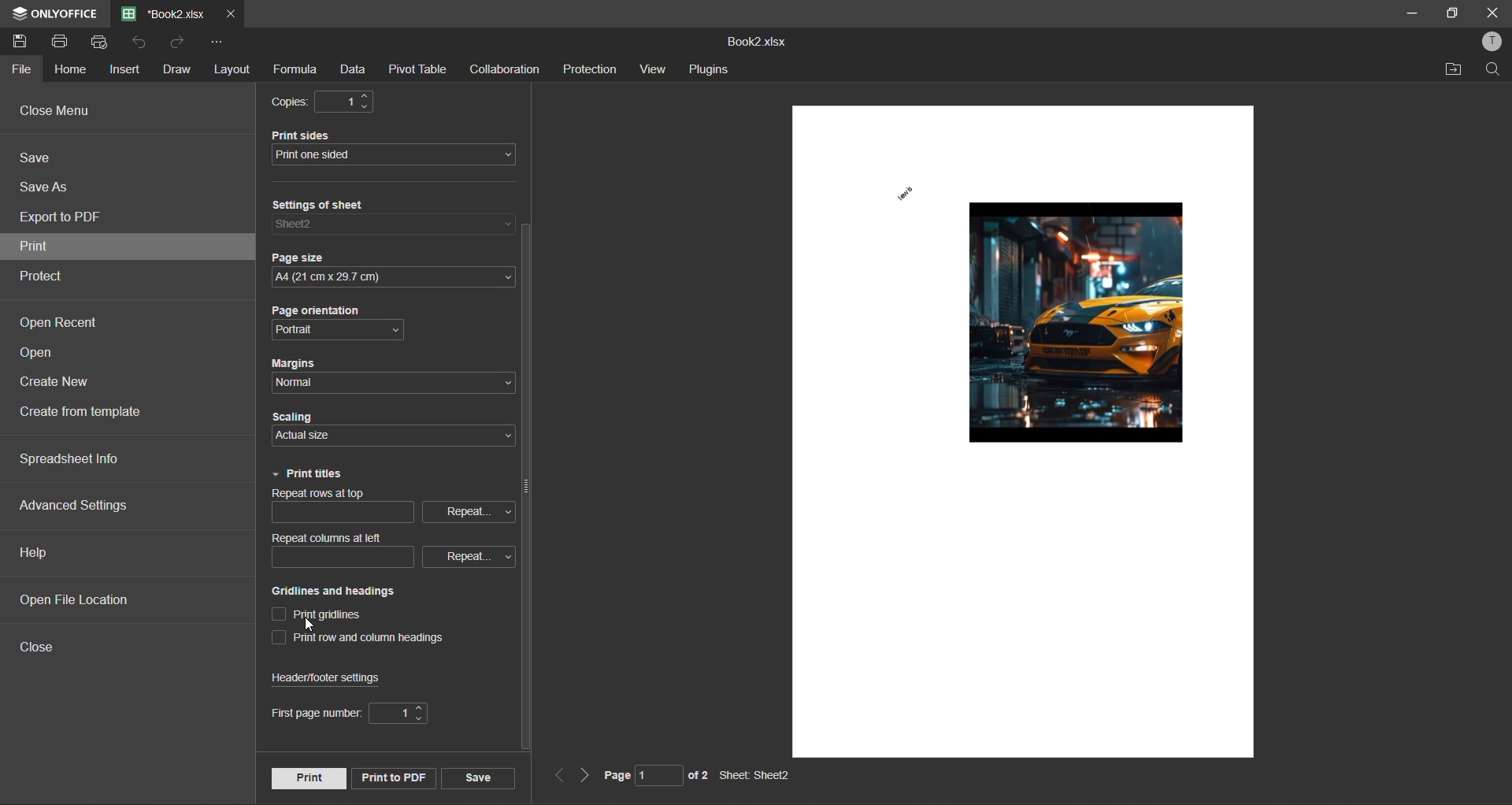 The width and height of the screenshot is (1512, 805). I want to click on scaling, so click(298, 414).